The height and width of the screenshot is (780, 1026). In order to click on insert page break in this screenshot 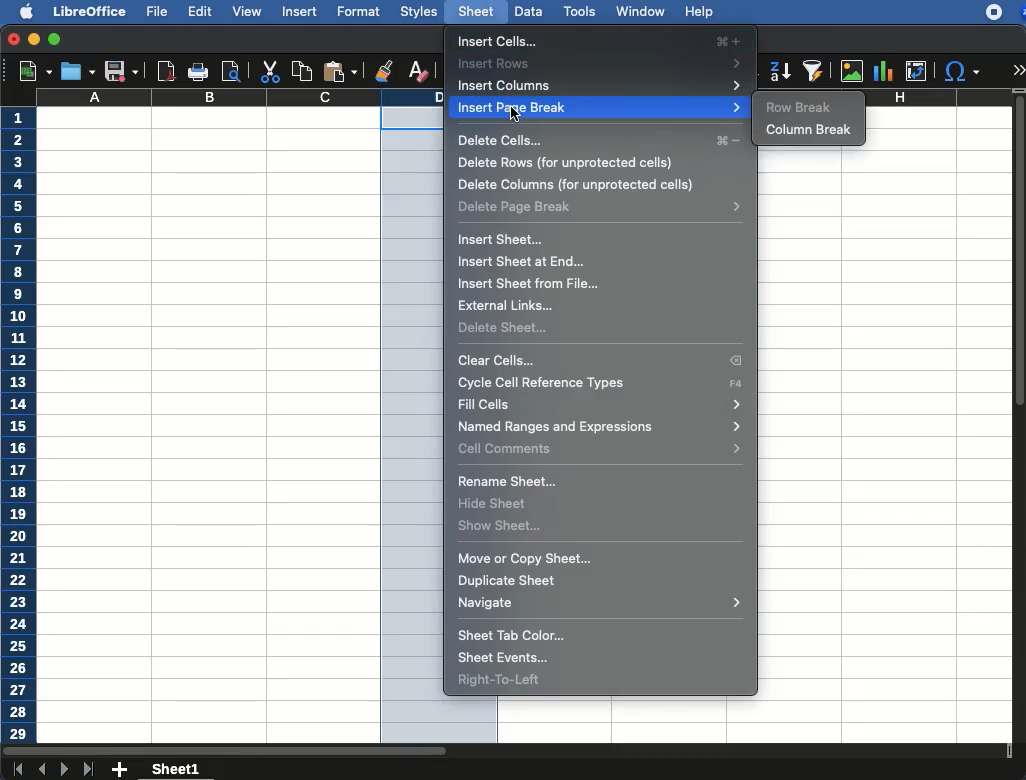, I will do `click(598, 109)`.